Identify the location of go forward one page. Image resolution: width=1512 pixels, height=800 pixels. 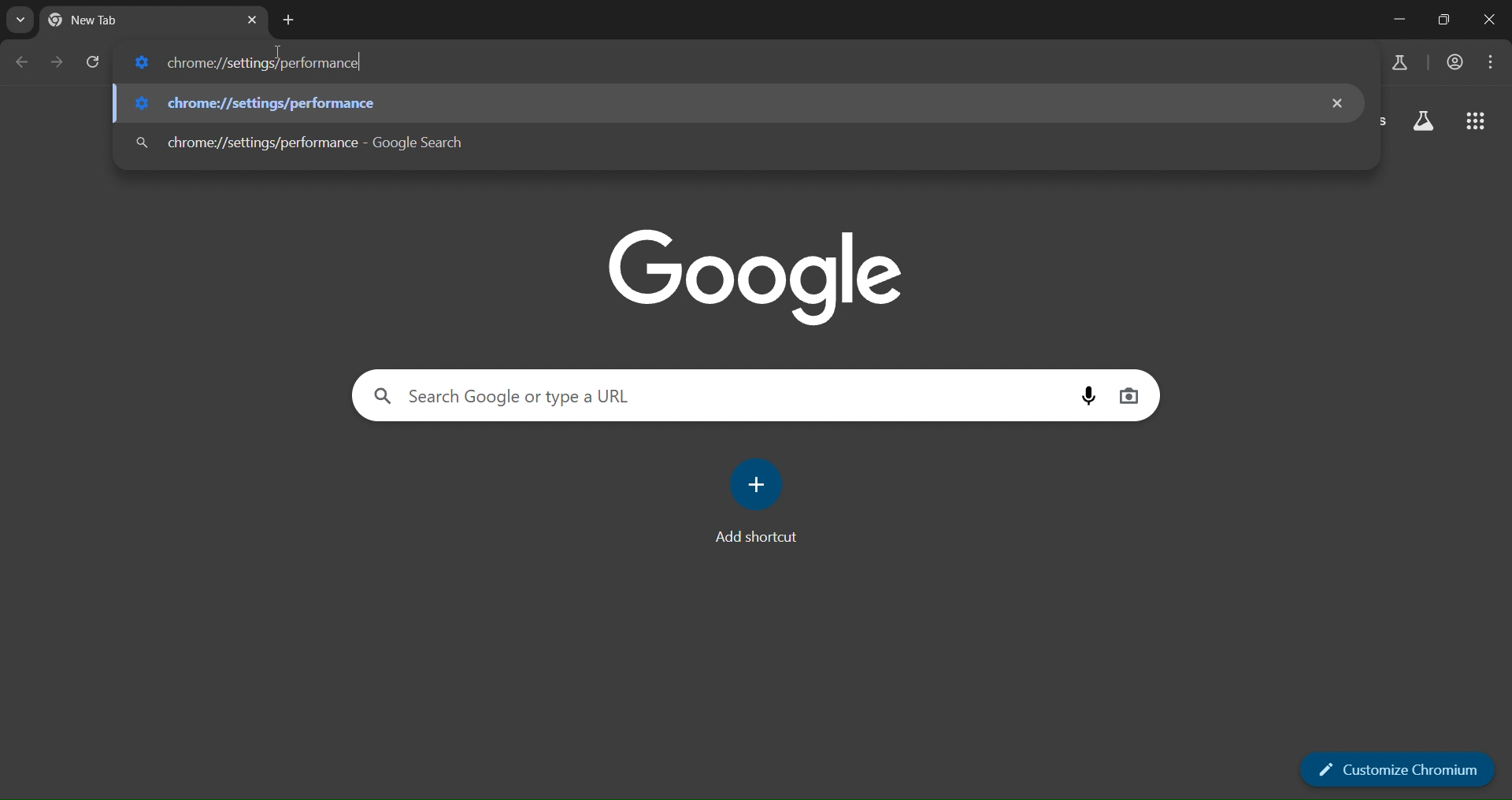
(59, 64).